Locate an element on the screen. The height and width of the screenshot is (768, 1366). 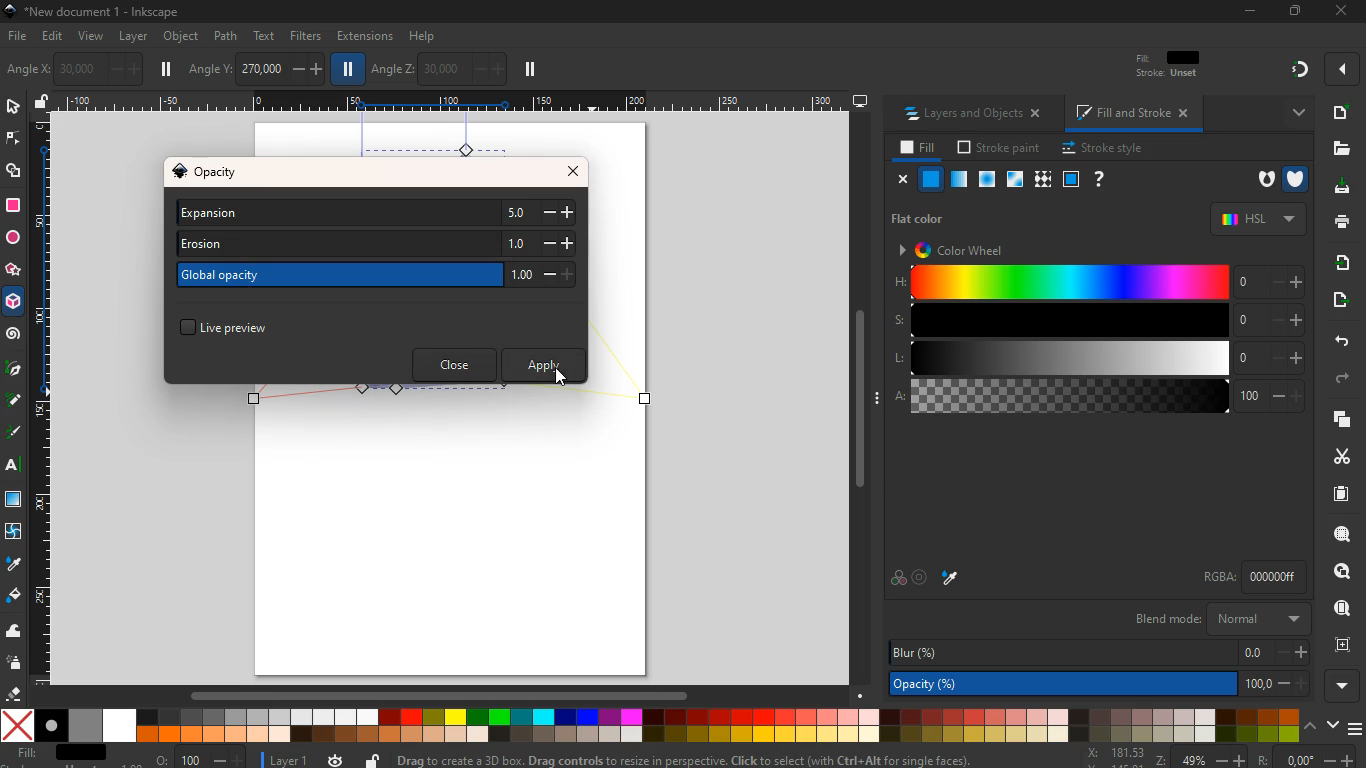
stroke paint is located at coordinates (995, 148).